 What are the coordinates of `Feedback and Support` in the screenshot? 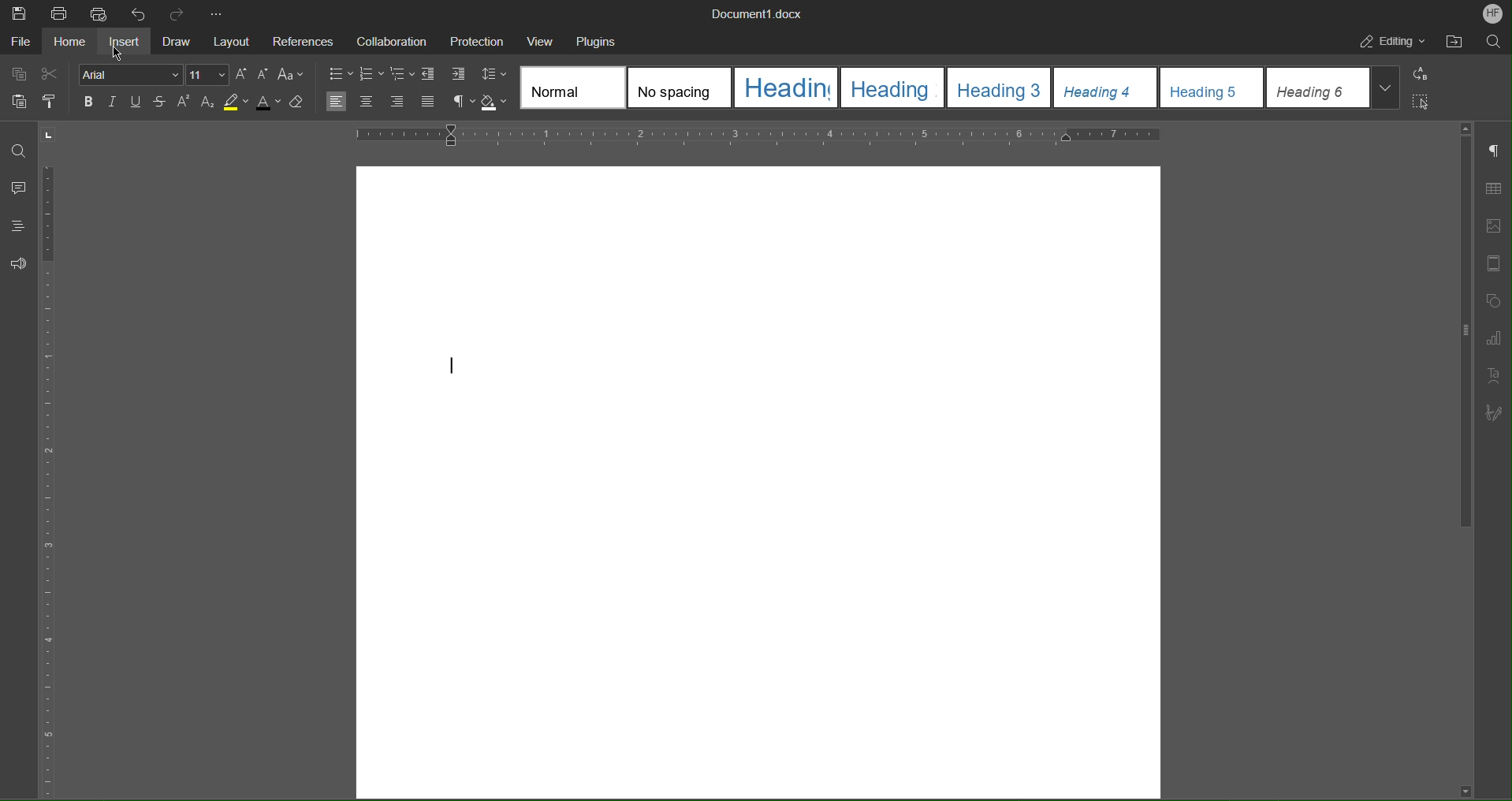 It's located at (16, 262).